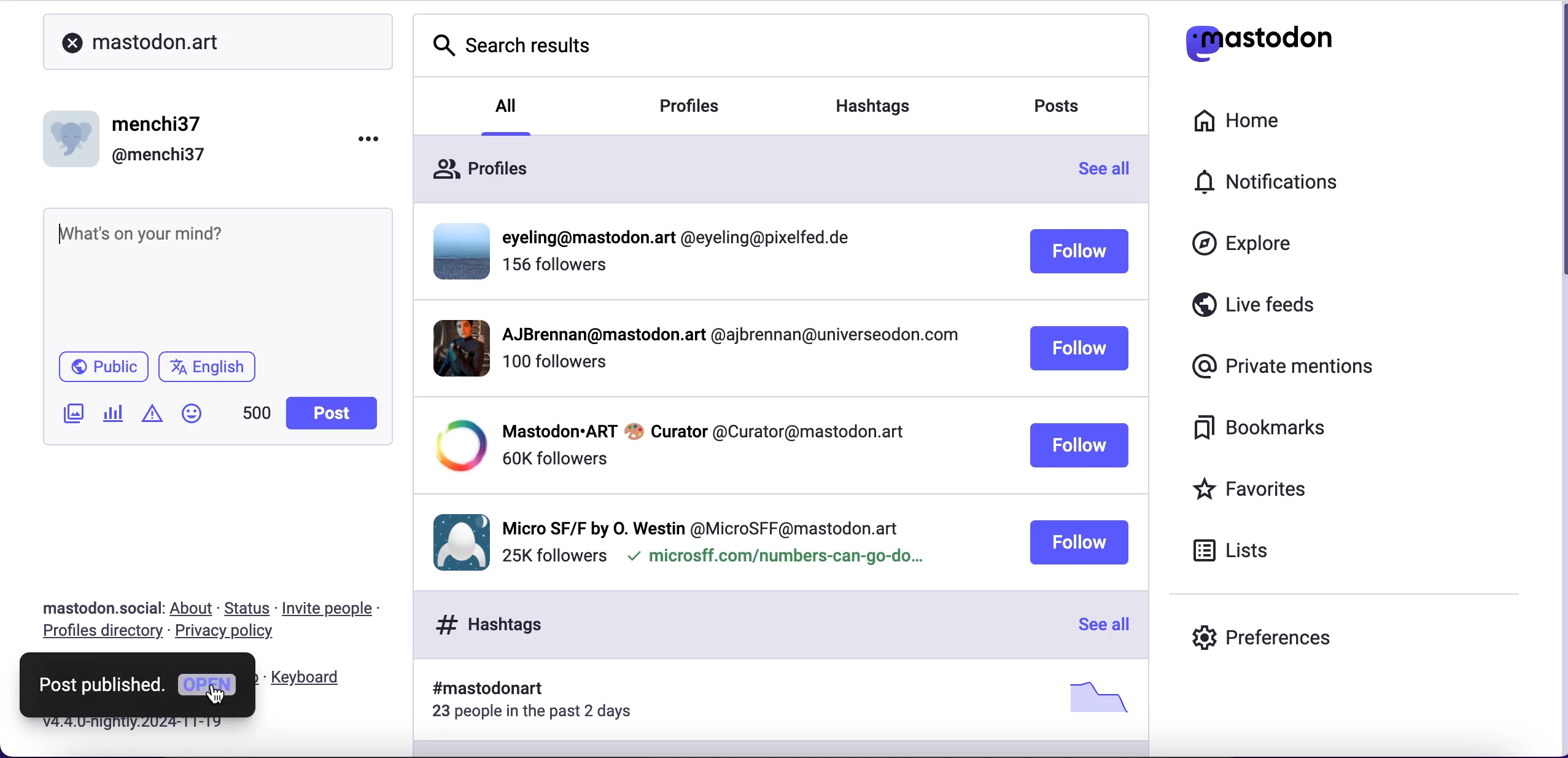  I want to click on user profile, so click(724, 348).